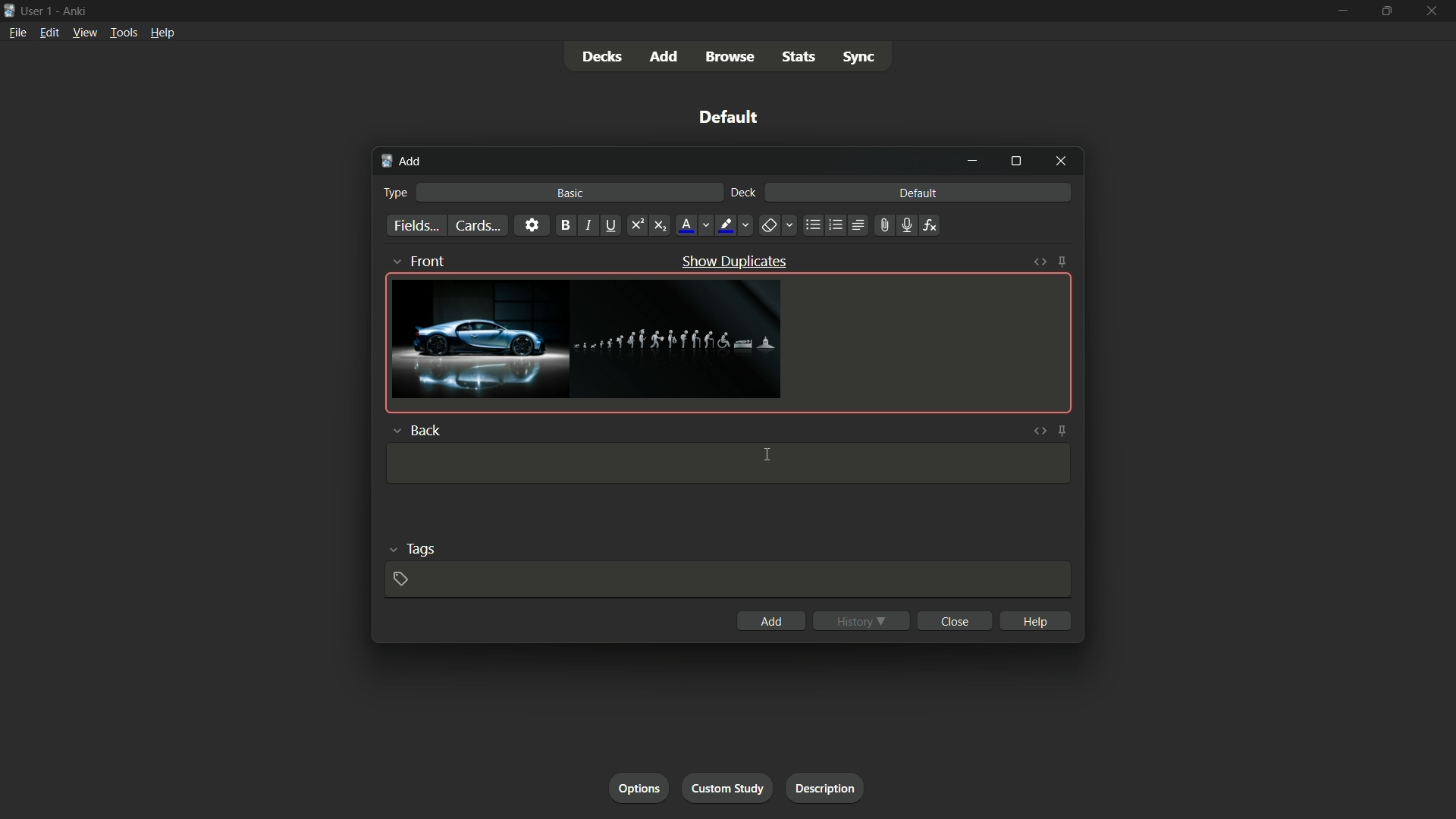  What do you see at coordinates (16, 31) in the screenshot?
I see `file menu` at bounding box center [16, 31].